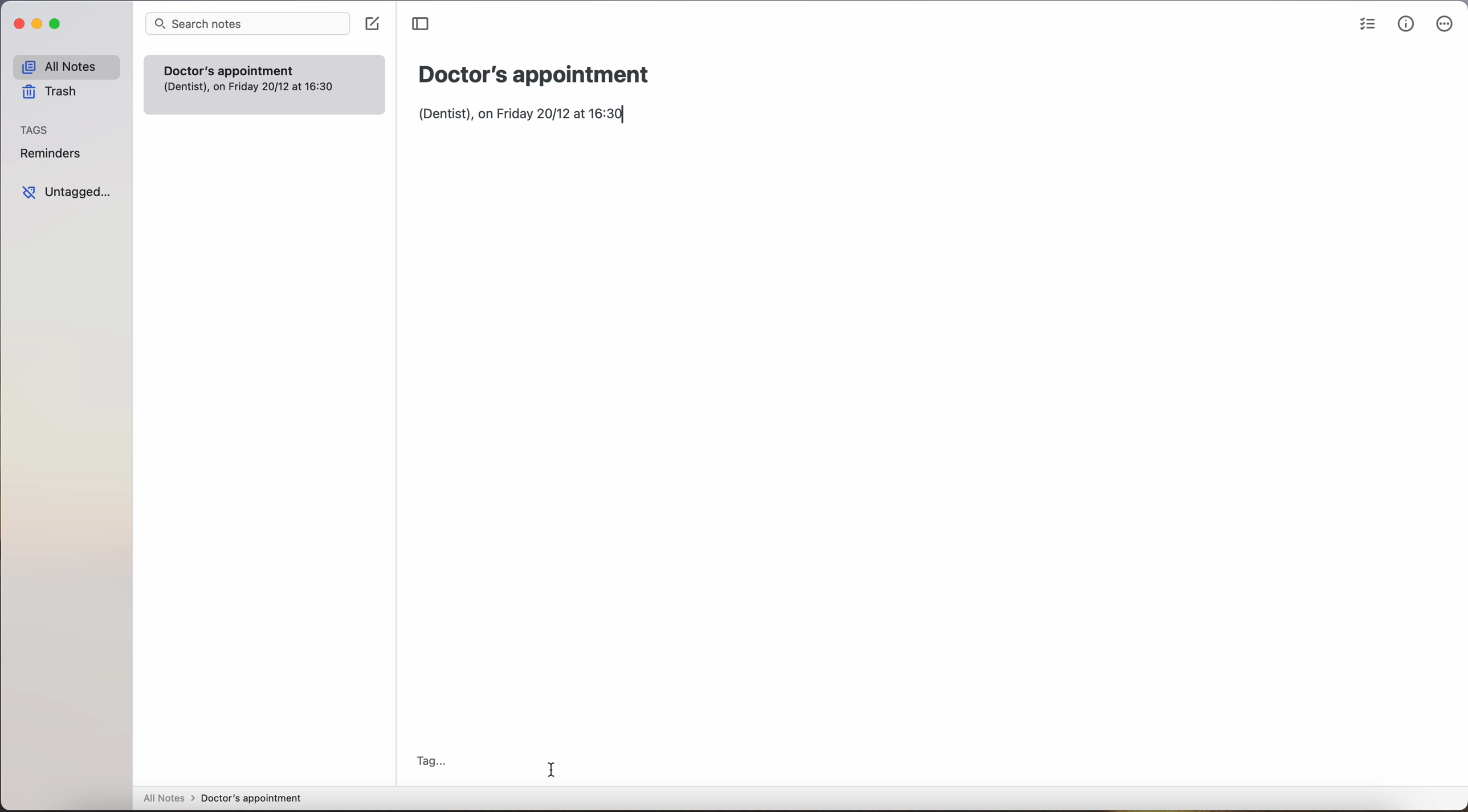 Image resolution: width=1468 pixels, height=812 pixels. I want to click on trash, so click(51, 92).